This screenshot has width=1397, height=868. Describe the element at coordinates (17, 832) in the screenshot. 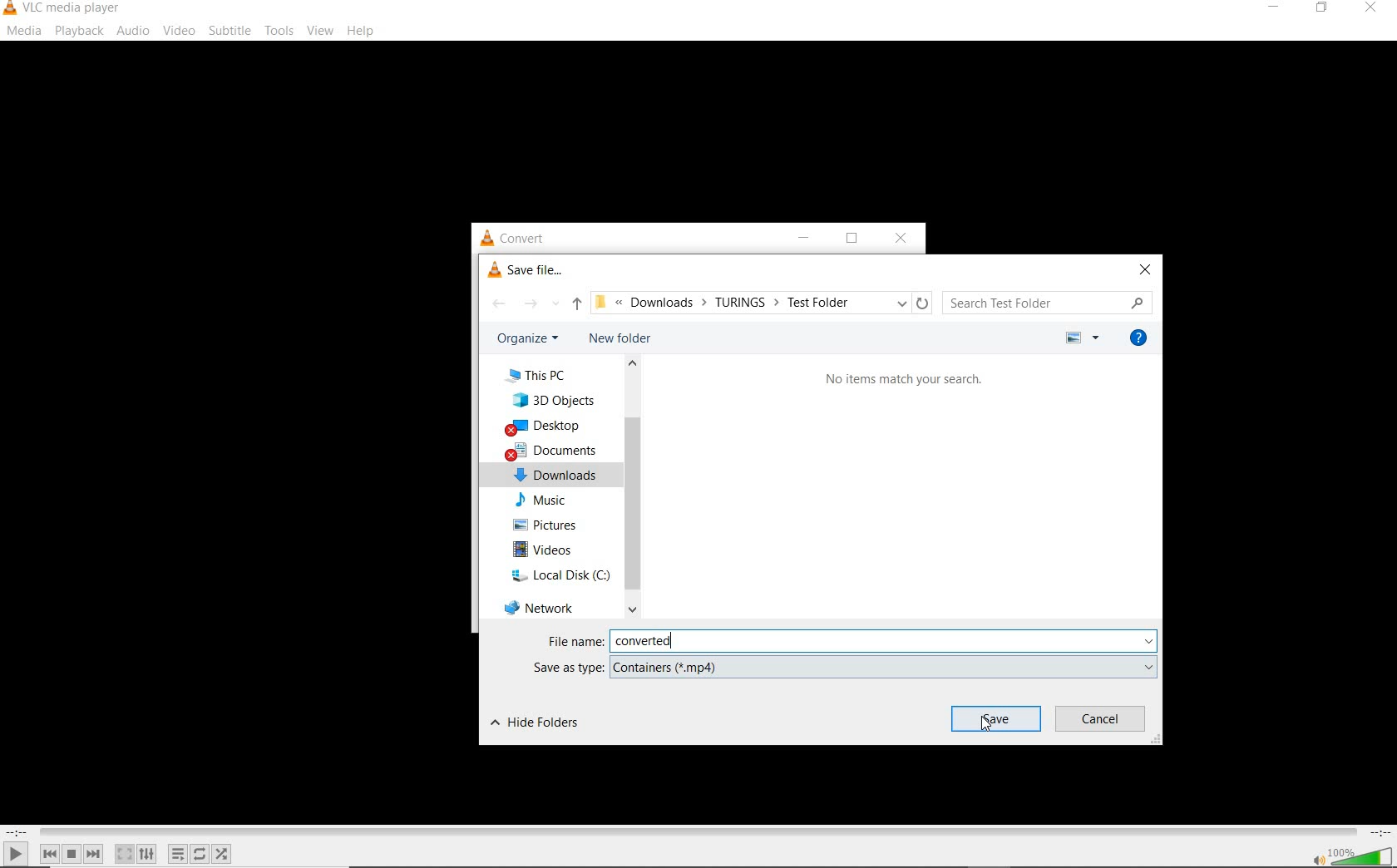

I see `elapsed time` at that location.